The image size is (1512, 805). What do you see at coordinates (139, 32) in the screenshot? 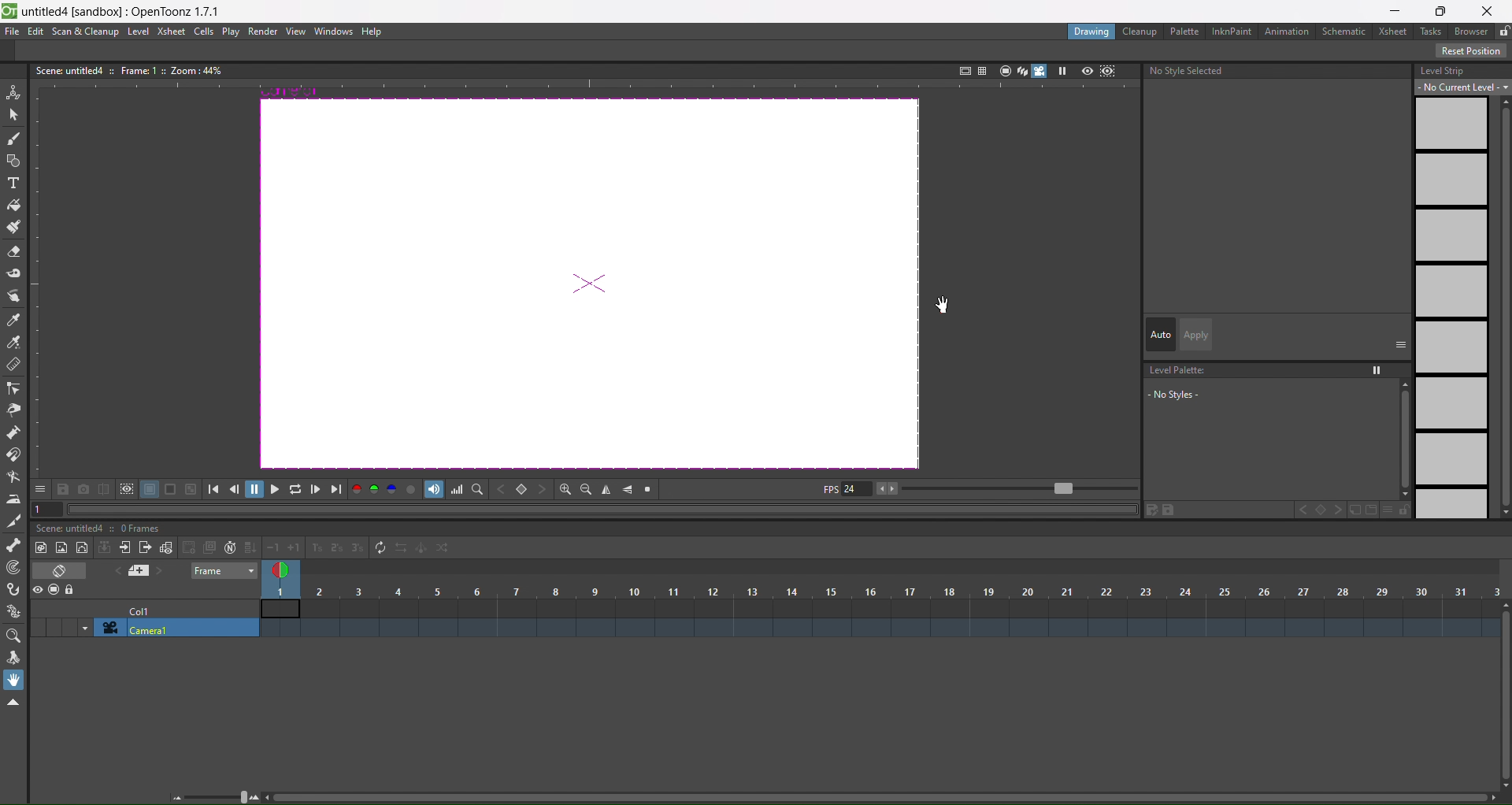
I see `level` at bounding box center [139, 32].